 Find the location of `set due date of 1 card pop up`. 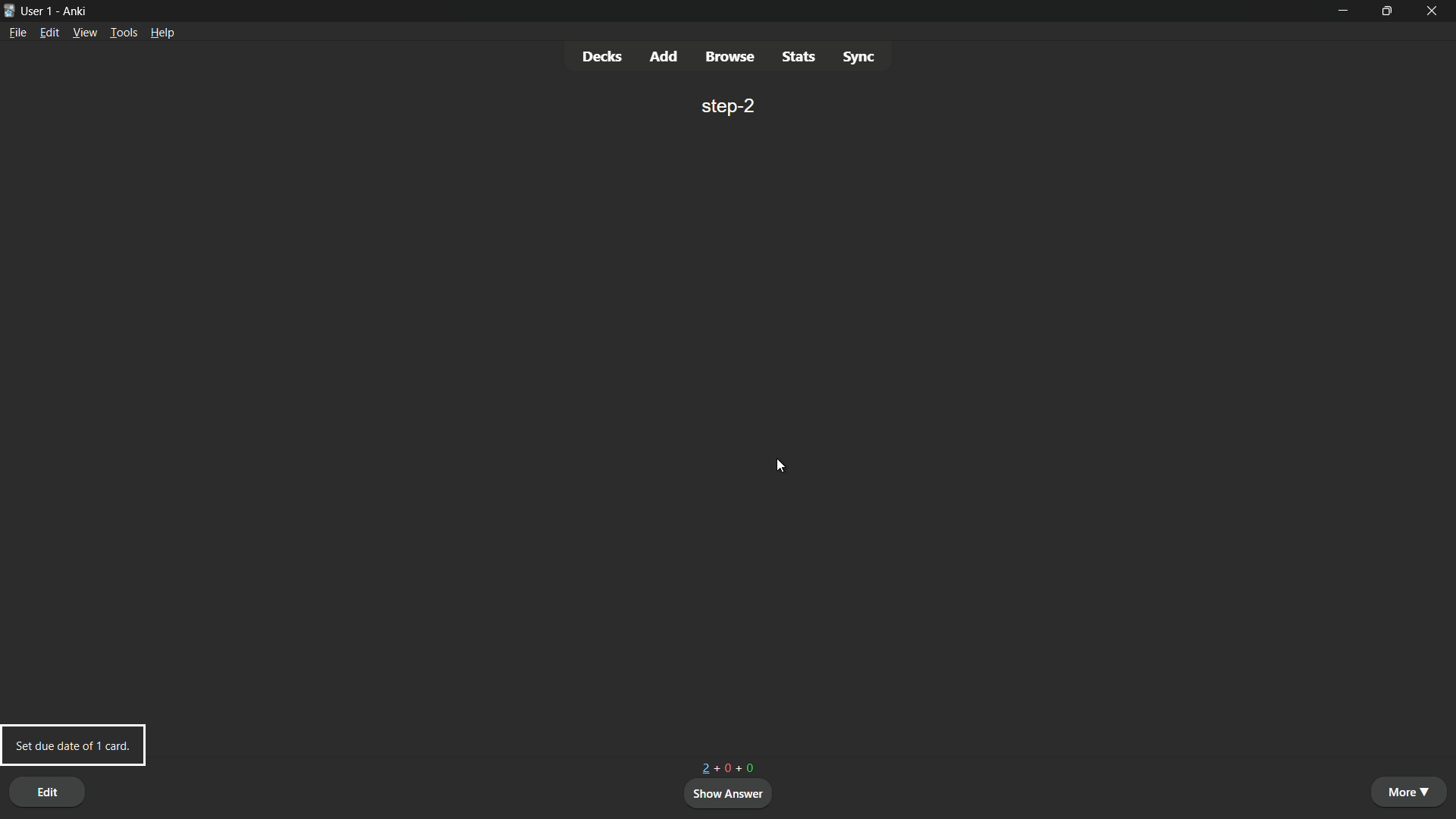

set due date of 1 card pop up is located at coordinates (71, 745).